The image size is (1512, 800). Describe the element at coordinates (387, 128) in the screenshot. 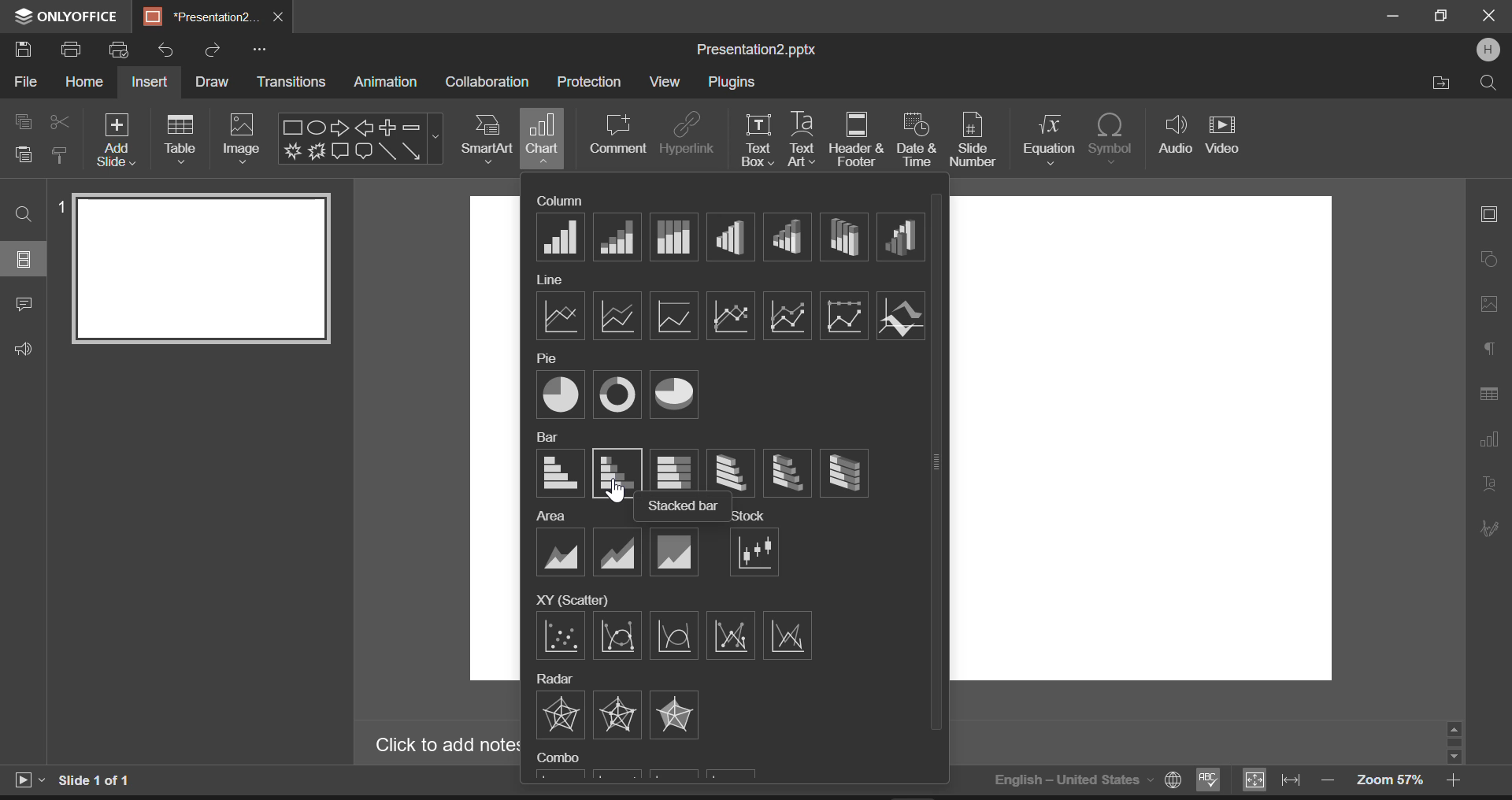

I see `Plus` at that location.